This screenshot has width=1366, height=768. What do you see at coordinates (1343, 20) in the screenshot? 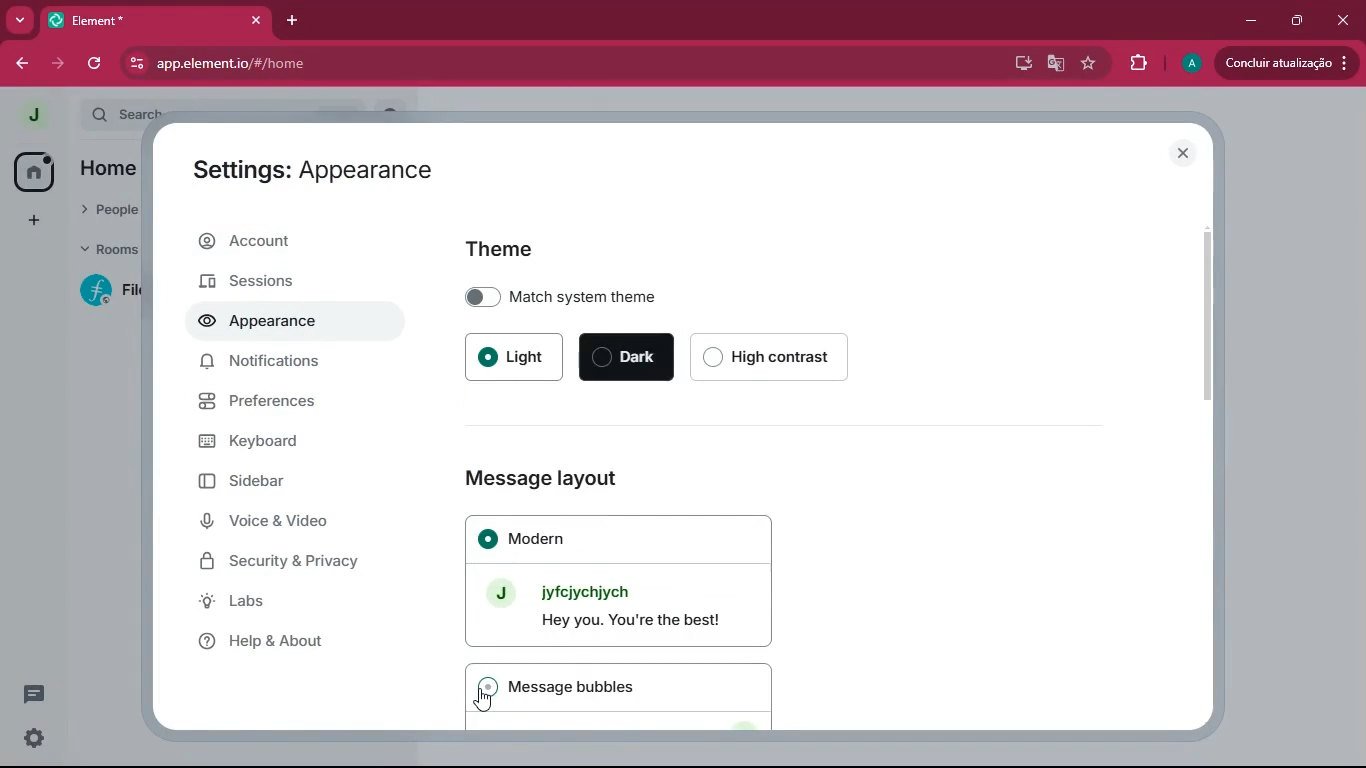
I see `close` at bounding box center [1343, 20].